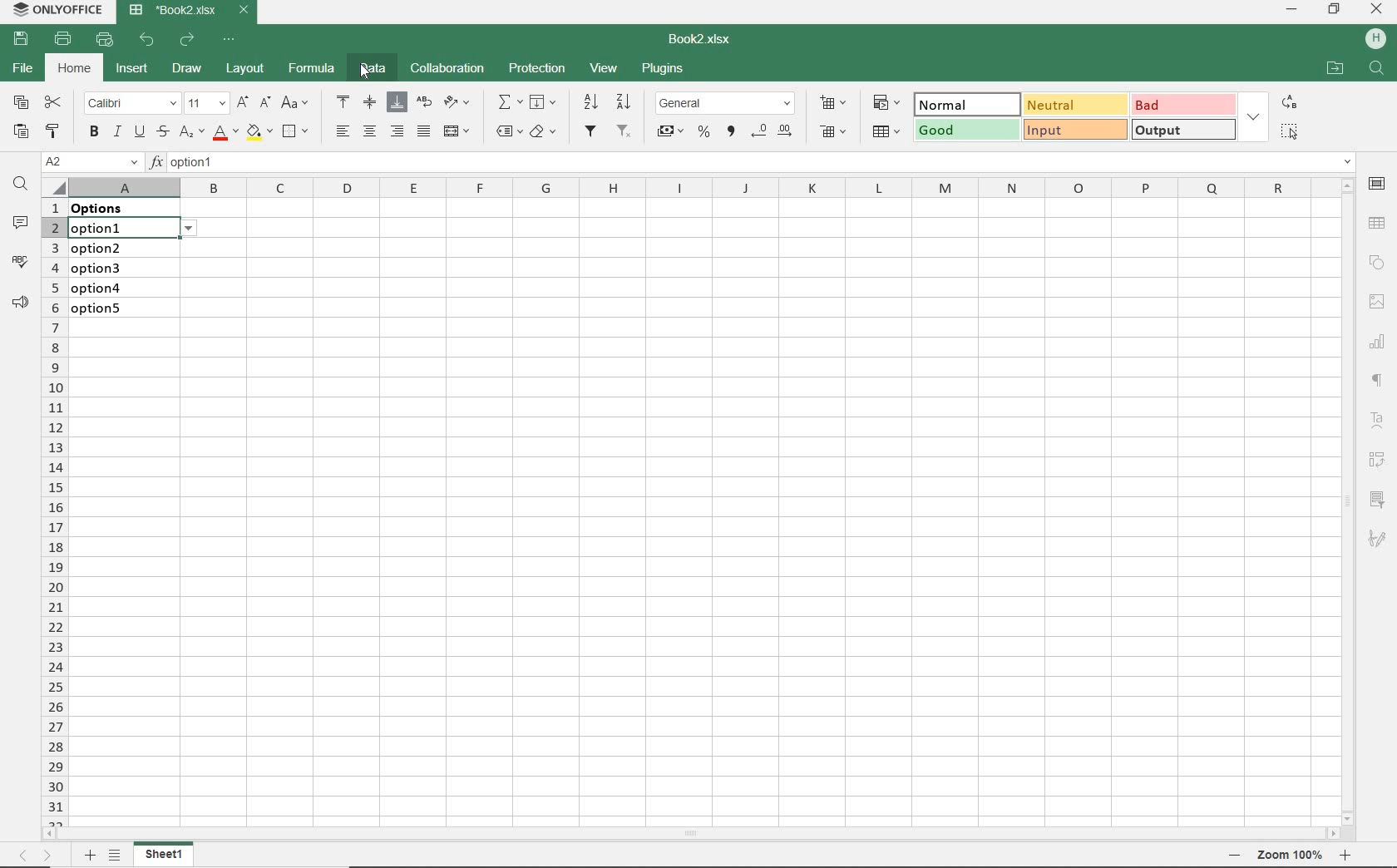 The width and height of the screenshot is (1397, 868). I want to click on FIND, so click(19, 184).